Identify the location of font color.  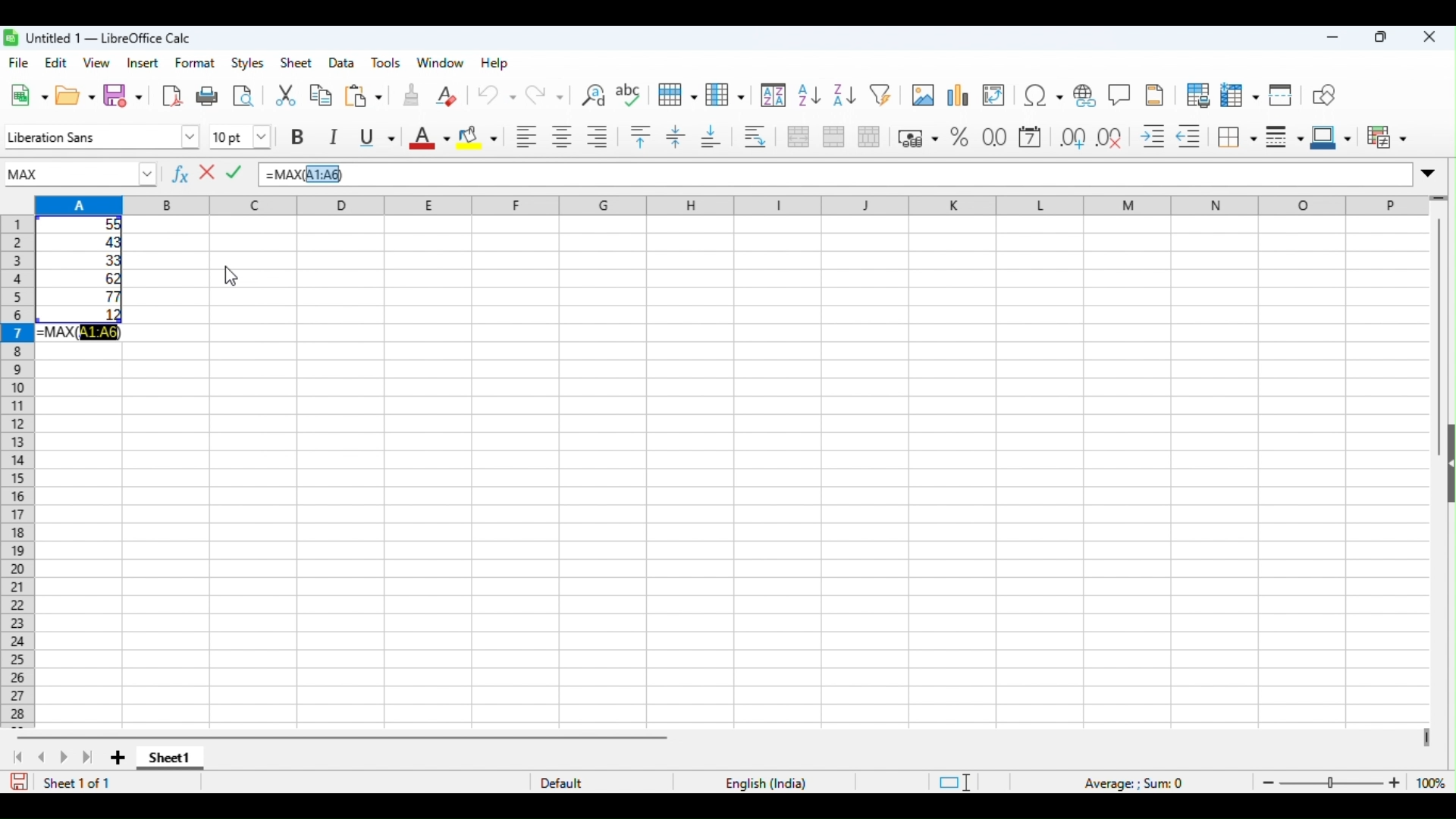
(428, 138).